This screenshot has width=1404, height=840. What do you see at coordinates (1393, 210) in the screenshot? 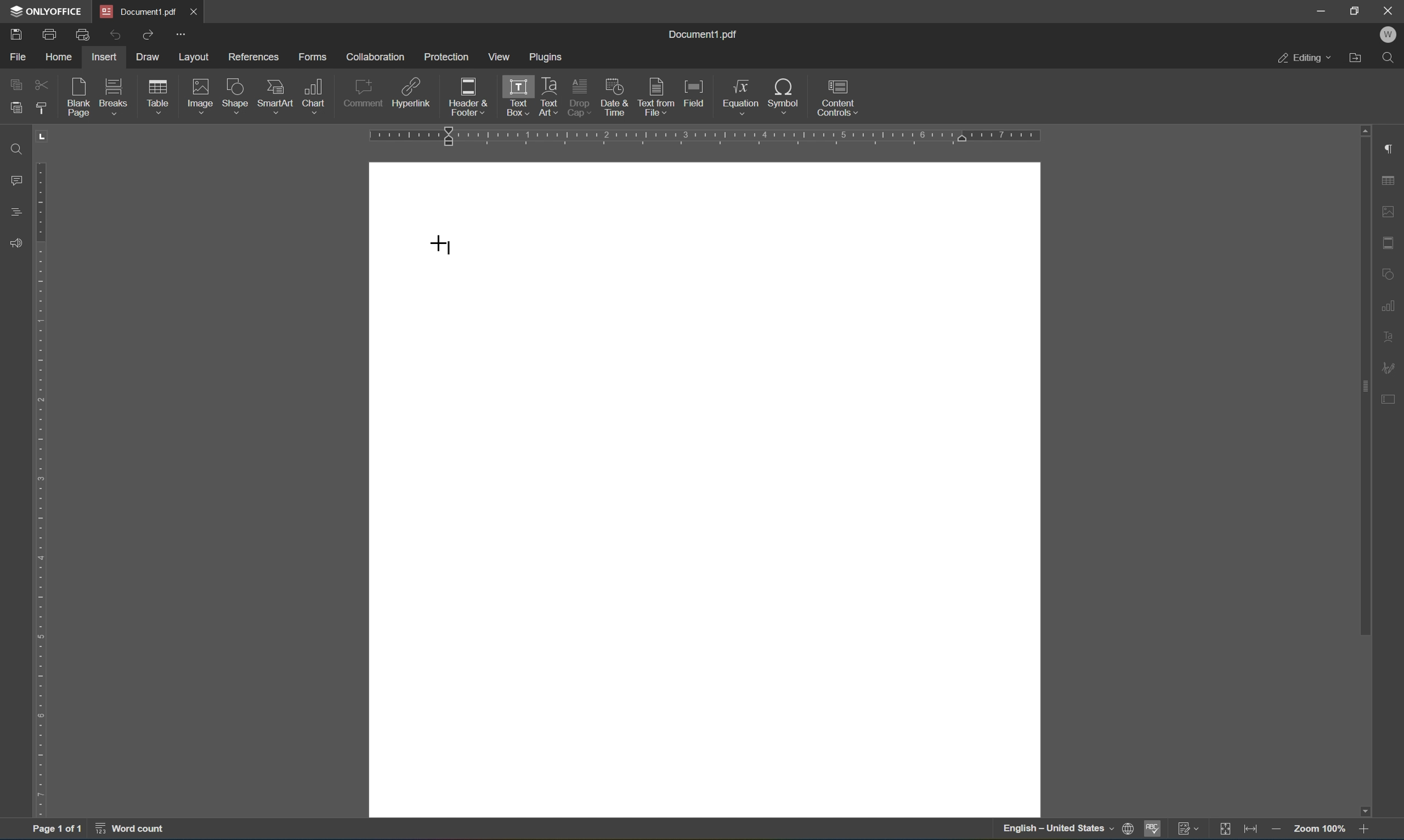
I see `Image settings` at bounding box center [1393, 210].